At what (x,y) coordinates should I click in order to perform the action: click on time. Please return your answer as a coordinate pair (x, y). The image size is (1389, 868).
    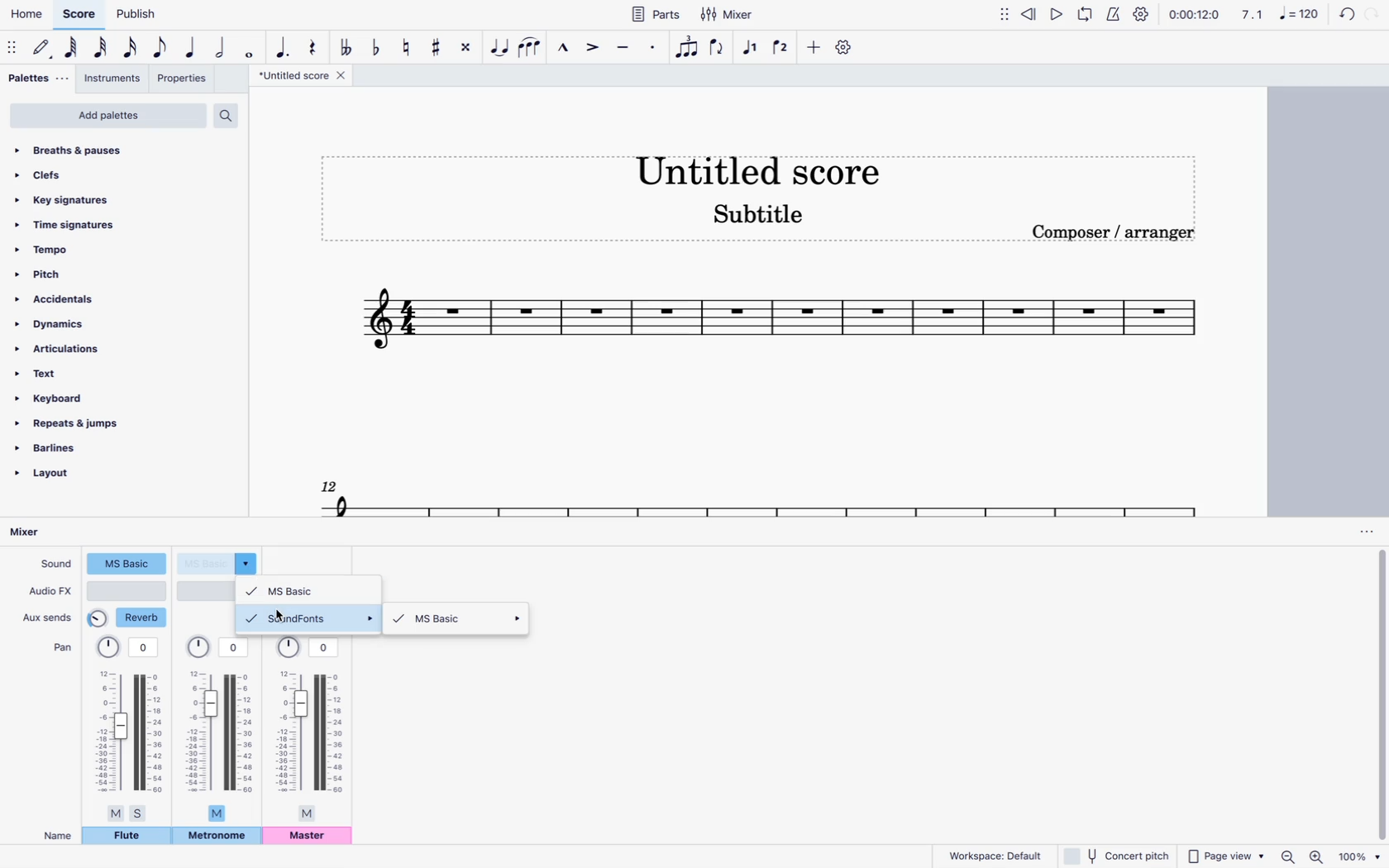
    Looking at the image, I should click on (1194, 16).